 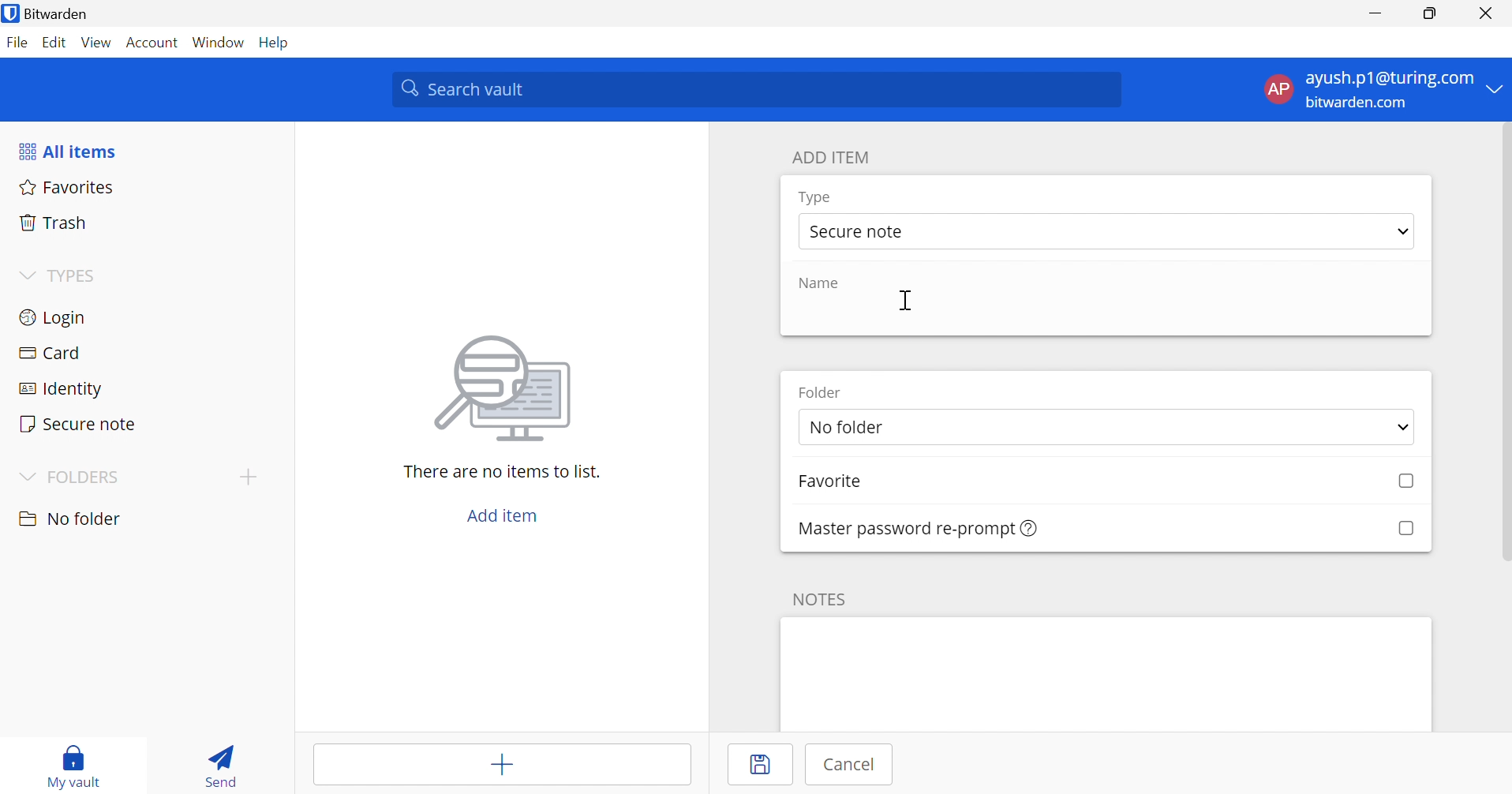 What do you see at coordinates (276, 43) in the screenshot?
I see `Help` at bounding box center [276, 43].